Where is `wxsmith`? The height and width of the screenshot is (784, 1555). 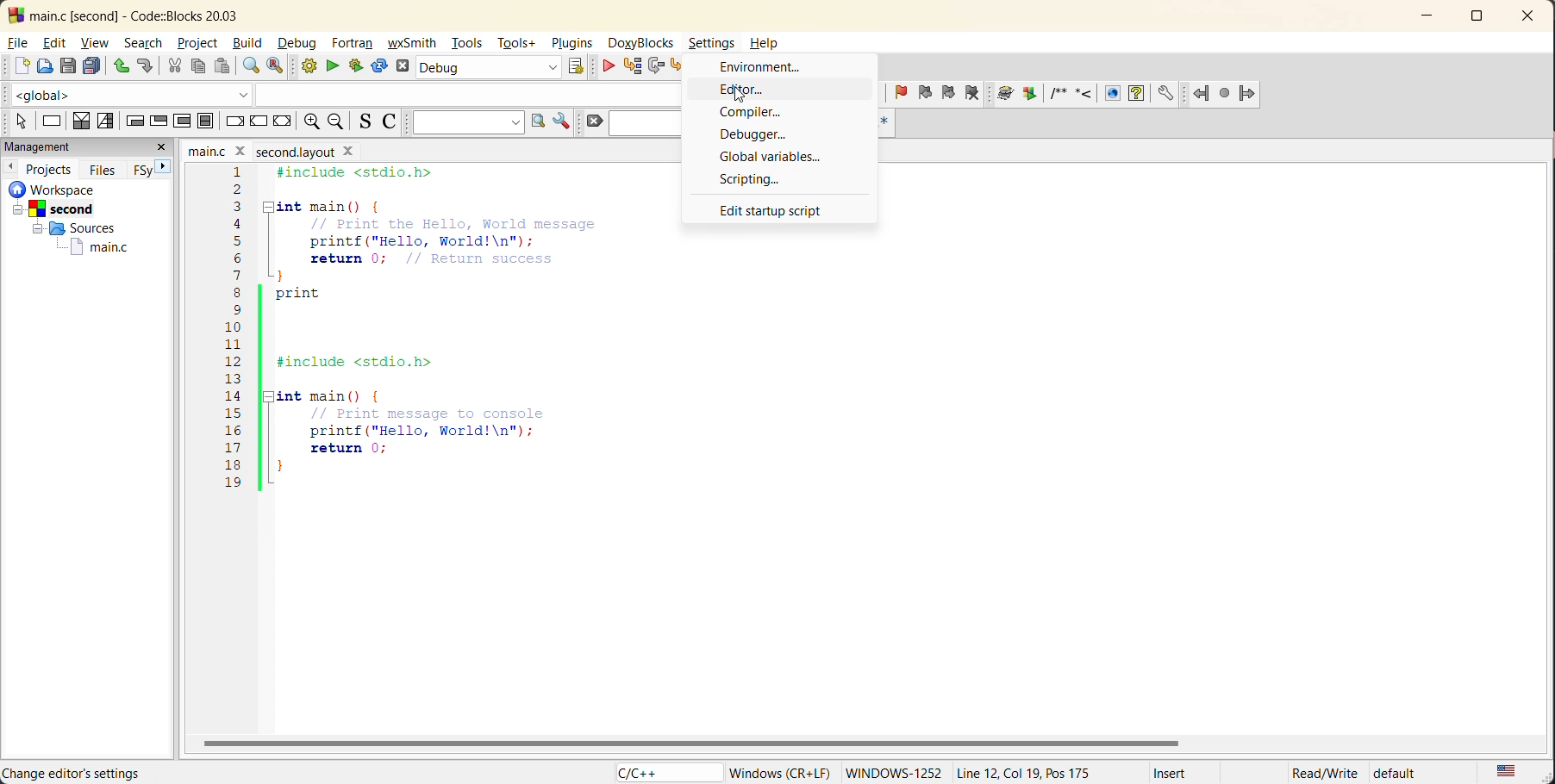
wxsmith is located at coordinates (413, 44).